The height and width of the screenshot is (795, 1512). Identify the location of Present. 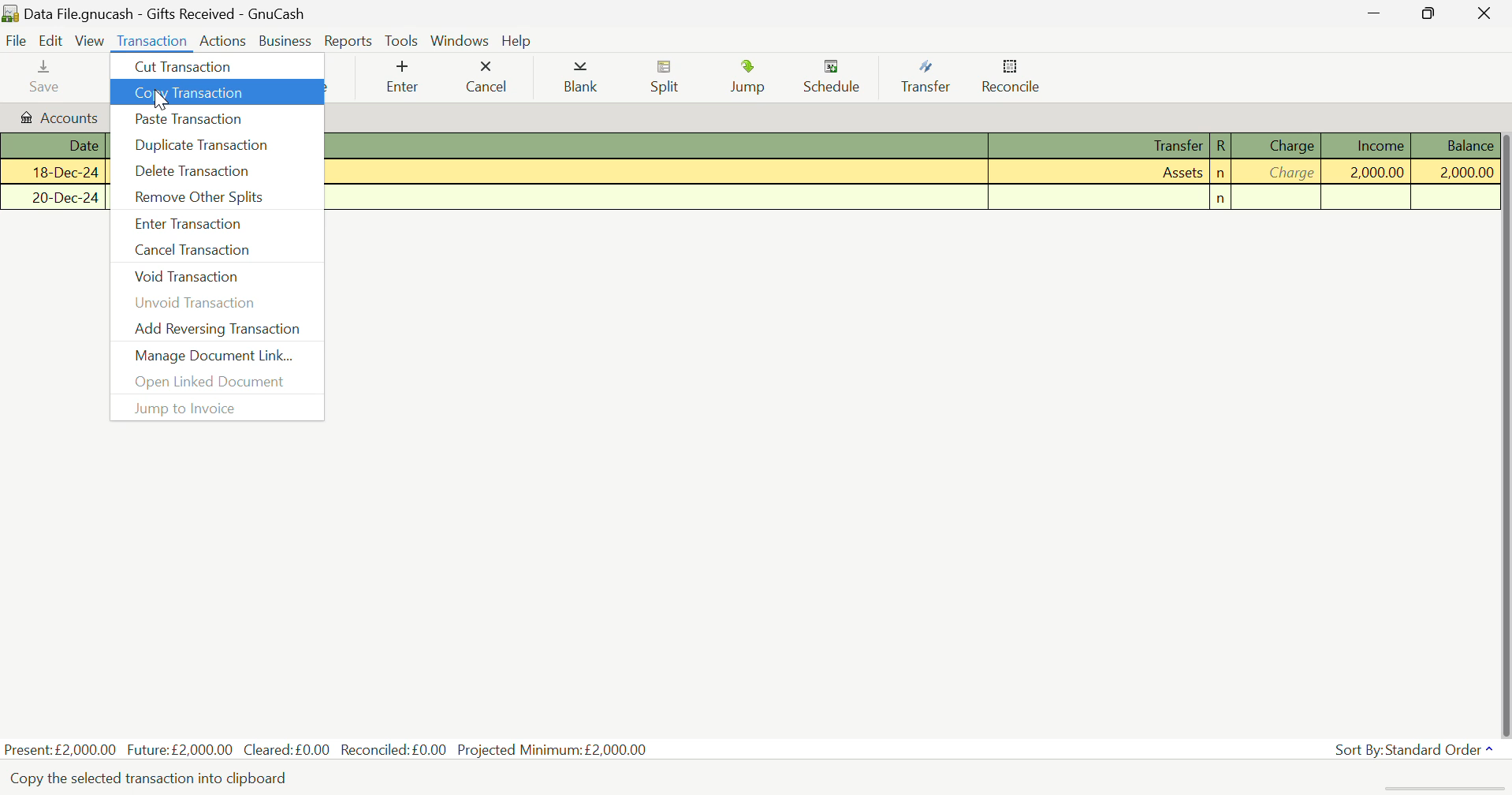
(61, 749).